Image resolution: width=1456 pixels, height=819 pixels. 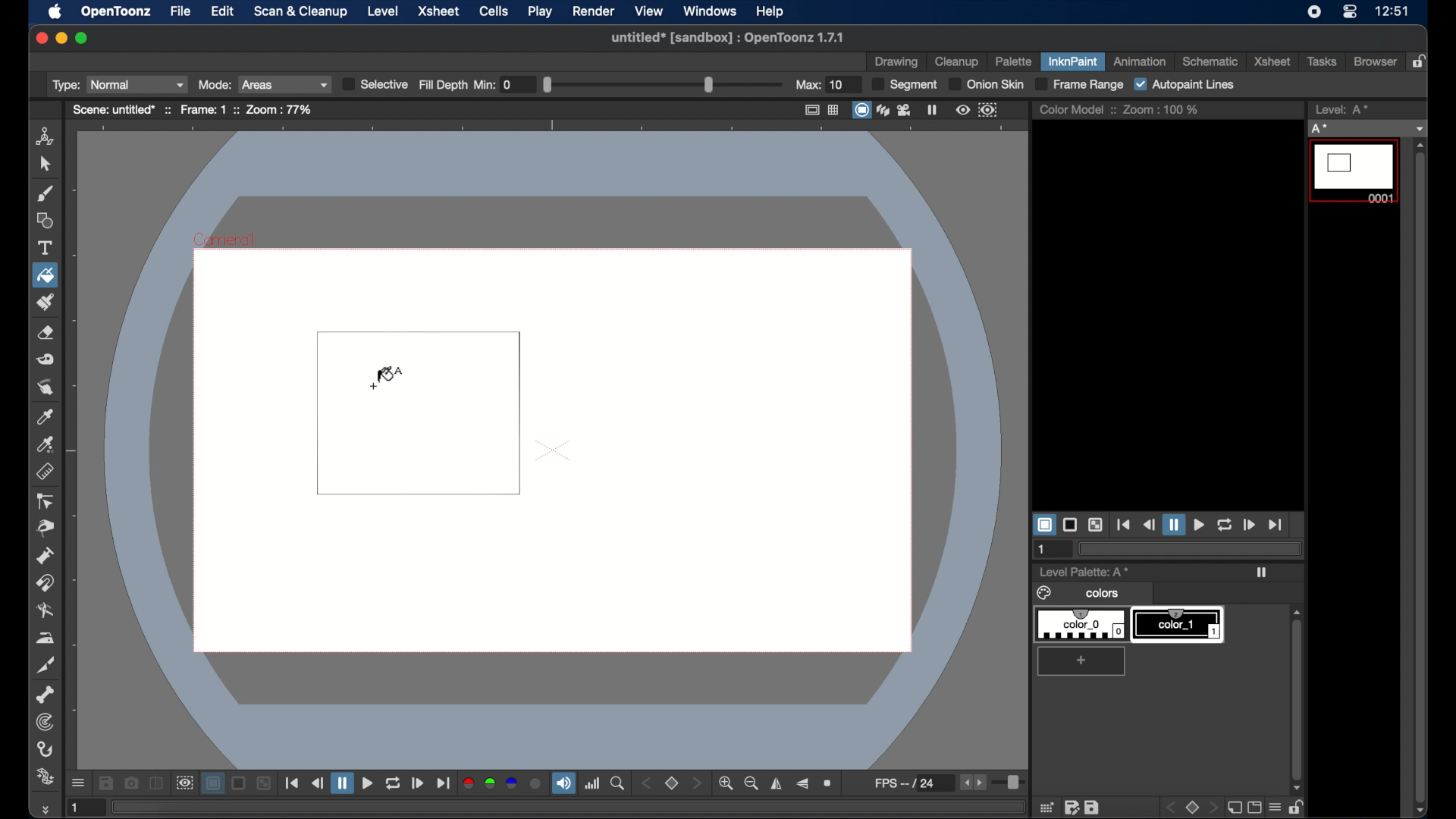 What do you see at coordinates (387, 378) in the screenshot?
I see `fill tool` at bounding box center [387, 378].